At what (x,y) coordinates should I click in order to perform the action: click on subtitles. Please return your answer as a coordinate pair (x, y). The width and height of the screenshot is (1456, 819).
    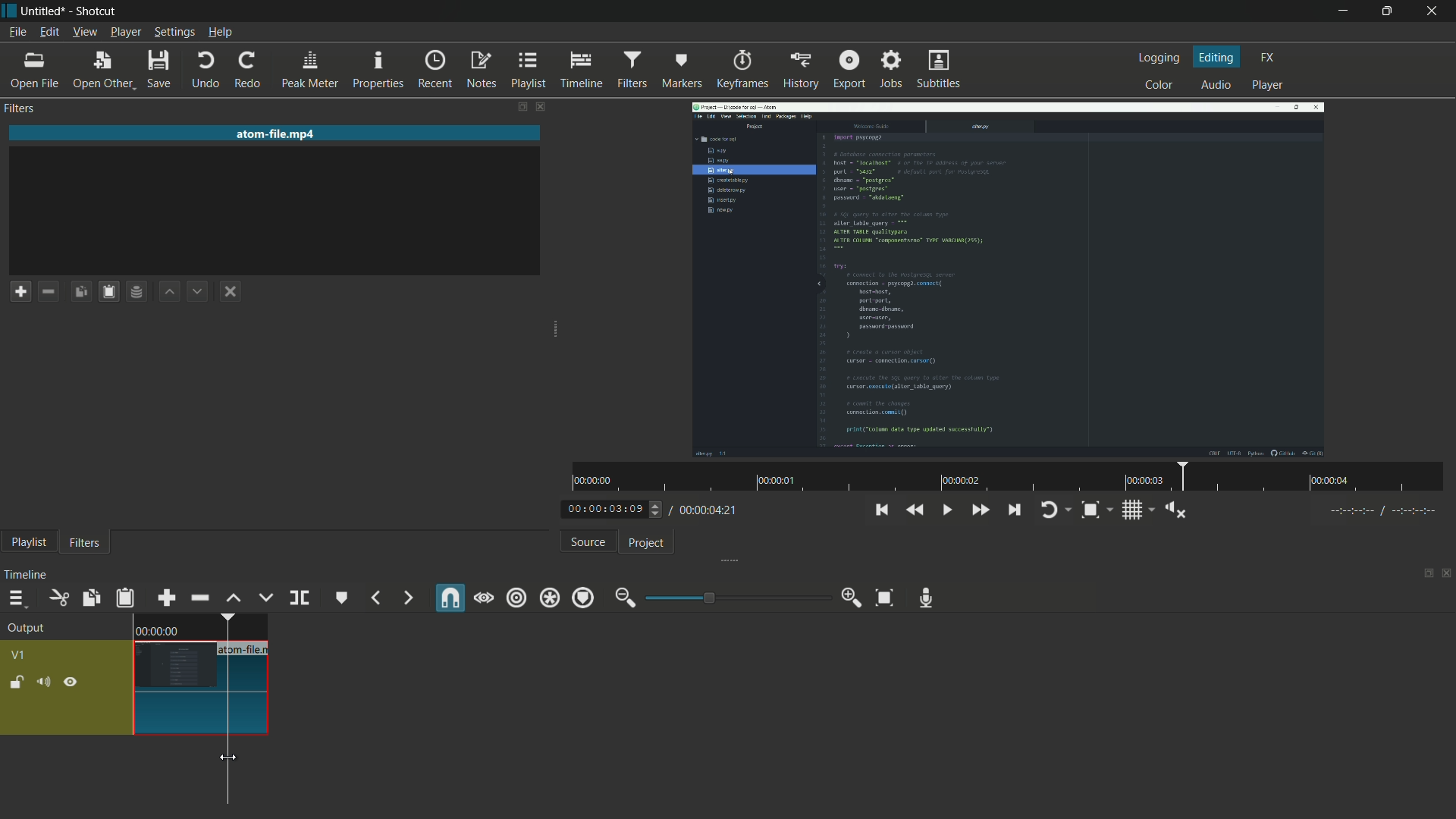
    Looking at the image, I should click on (939, 69).